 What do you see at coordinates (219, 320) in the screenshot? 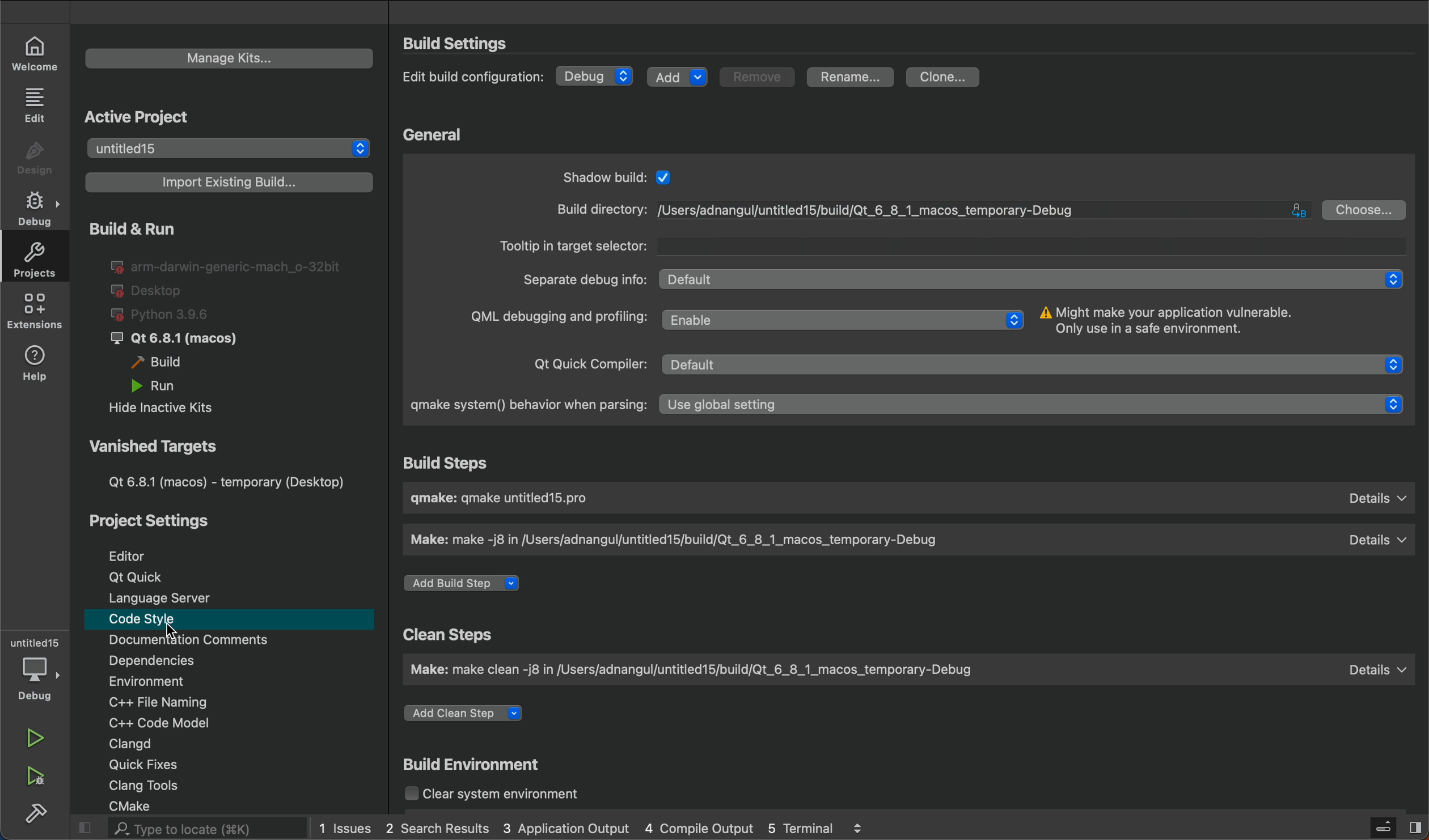
I see `build types` at bounding box center [219, 320].